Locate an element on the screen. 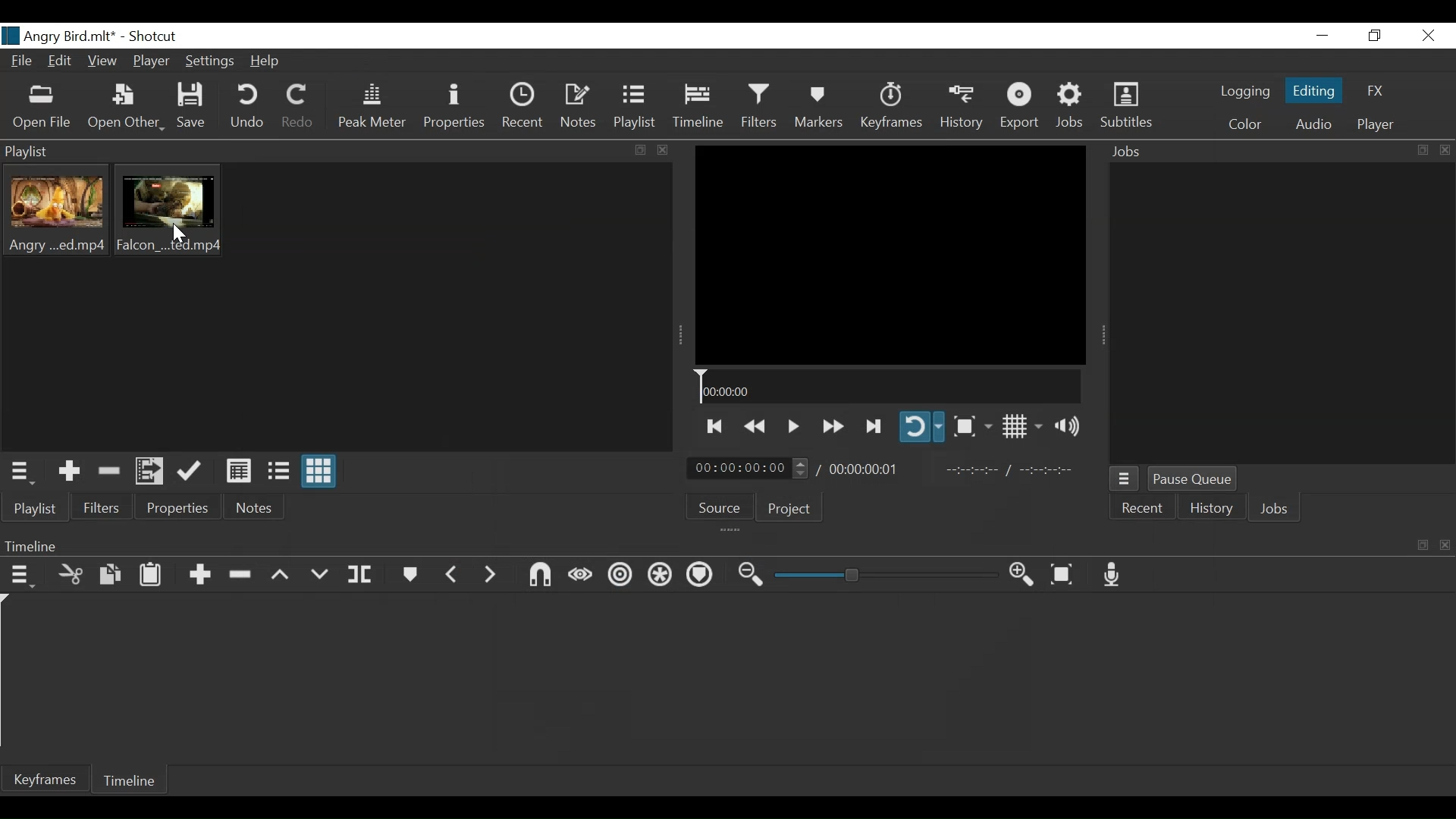 This screenshot has width=1456, height=819. Close is located at coordinates (1426, 36).